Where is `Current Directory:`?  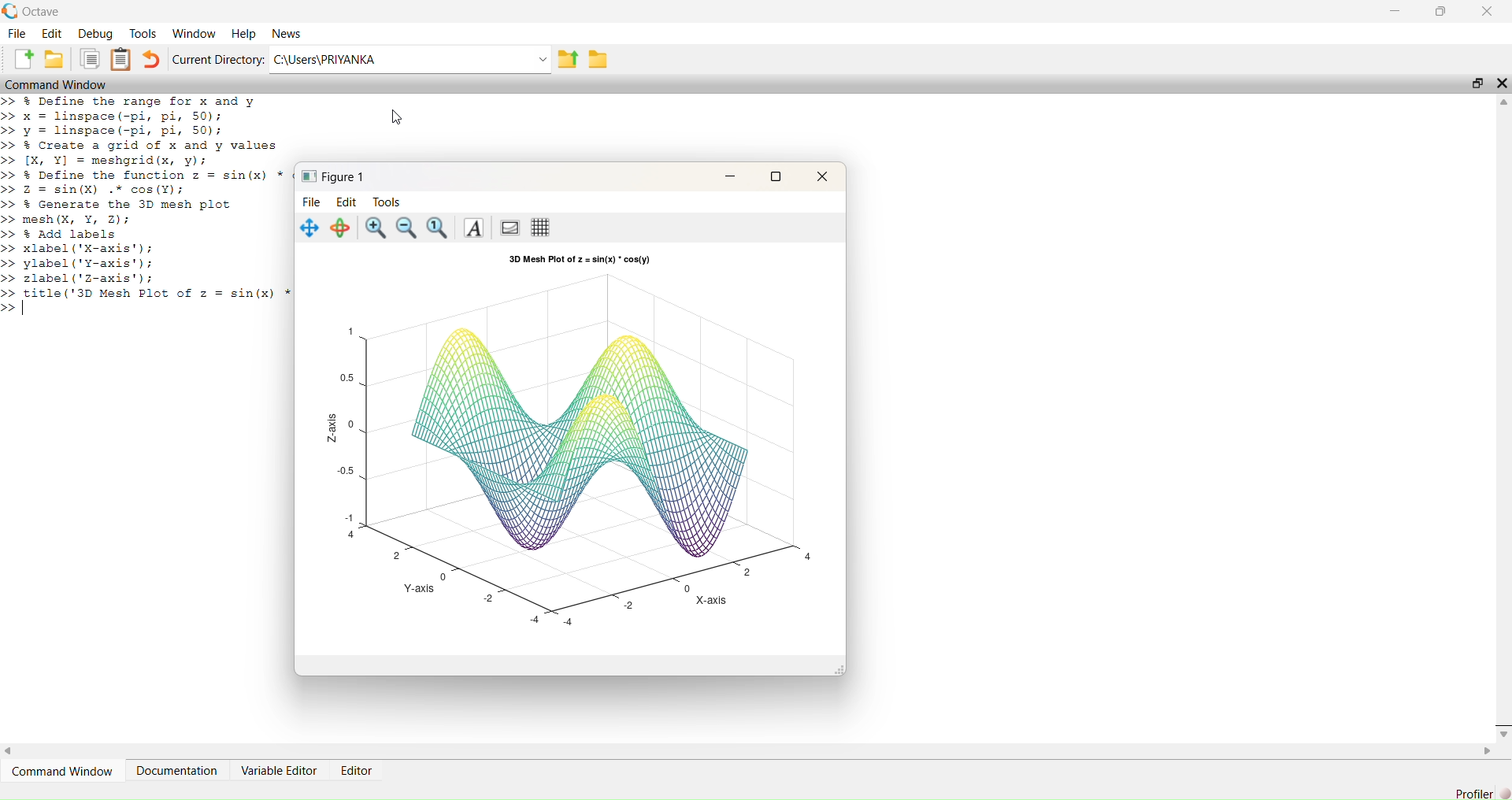 Current Directory: is located at coordinates (218, 61).